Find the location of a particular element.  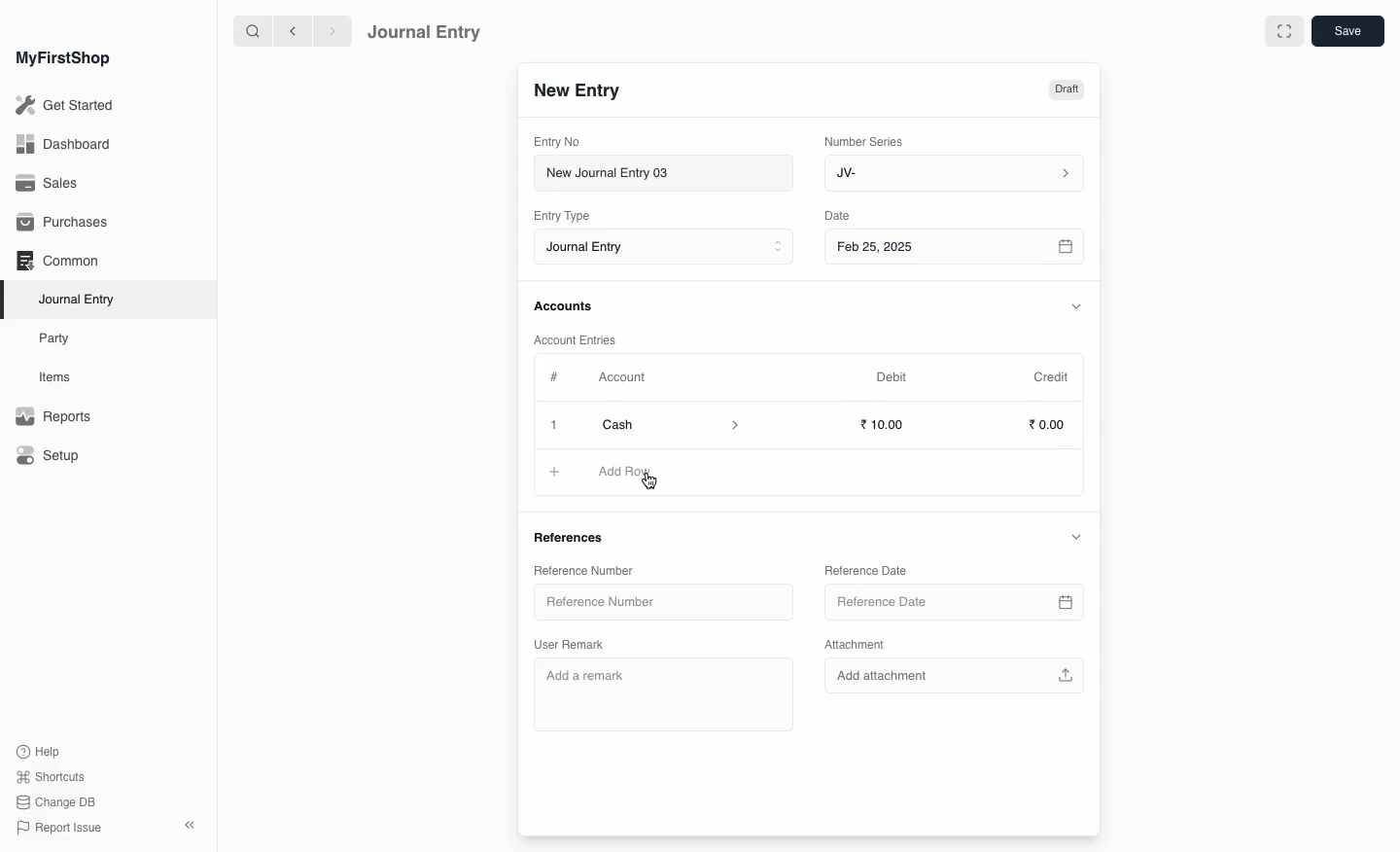

Journal Entry is located at coordinates (425, 31).